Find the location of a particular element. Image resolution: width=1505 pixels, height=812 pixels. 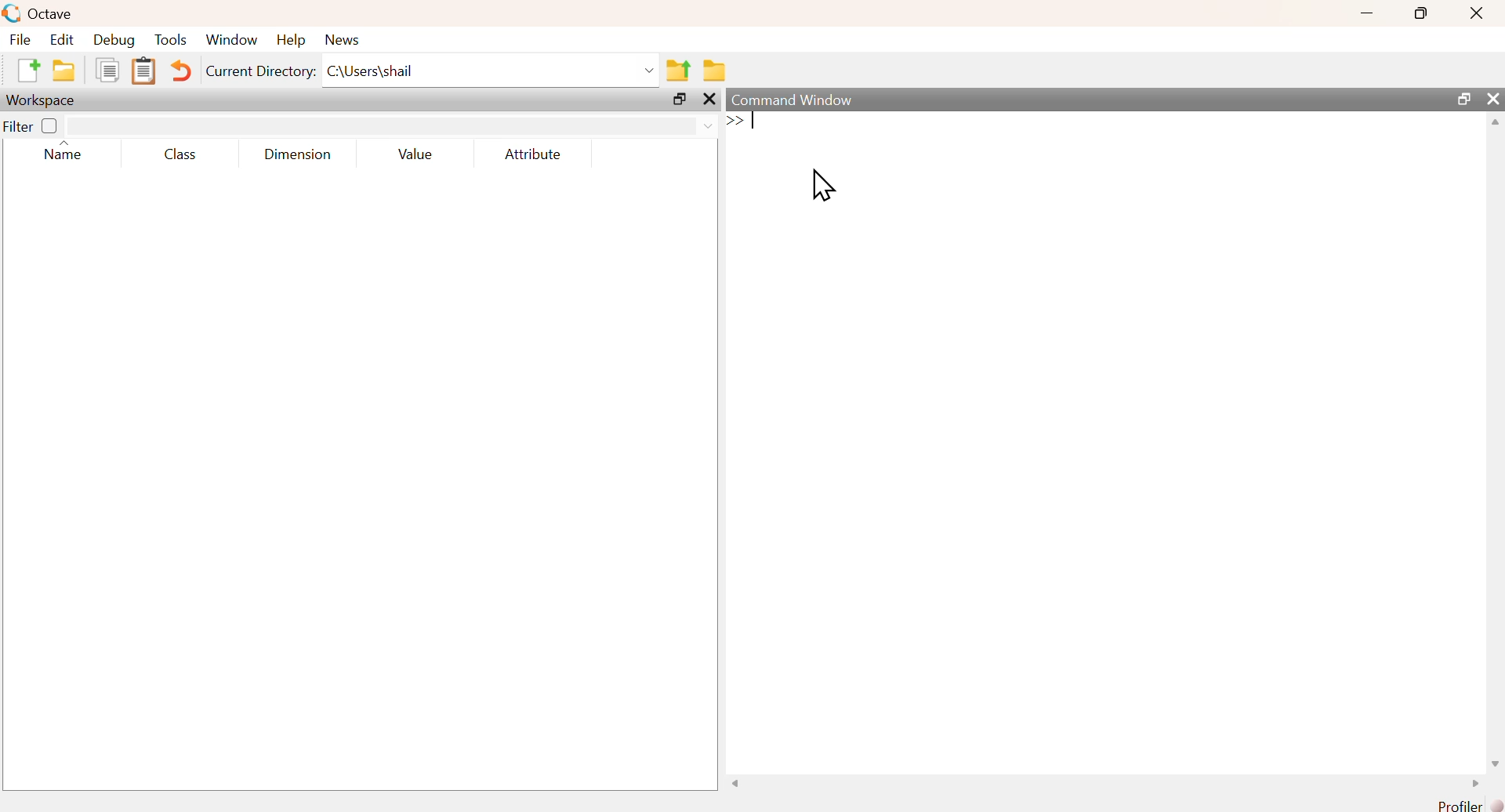

Current Directory: is located at coordinates (260, 71).